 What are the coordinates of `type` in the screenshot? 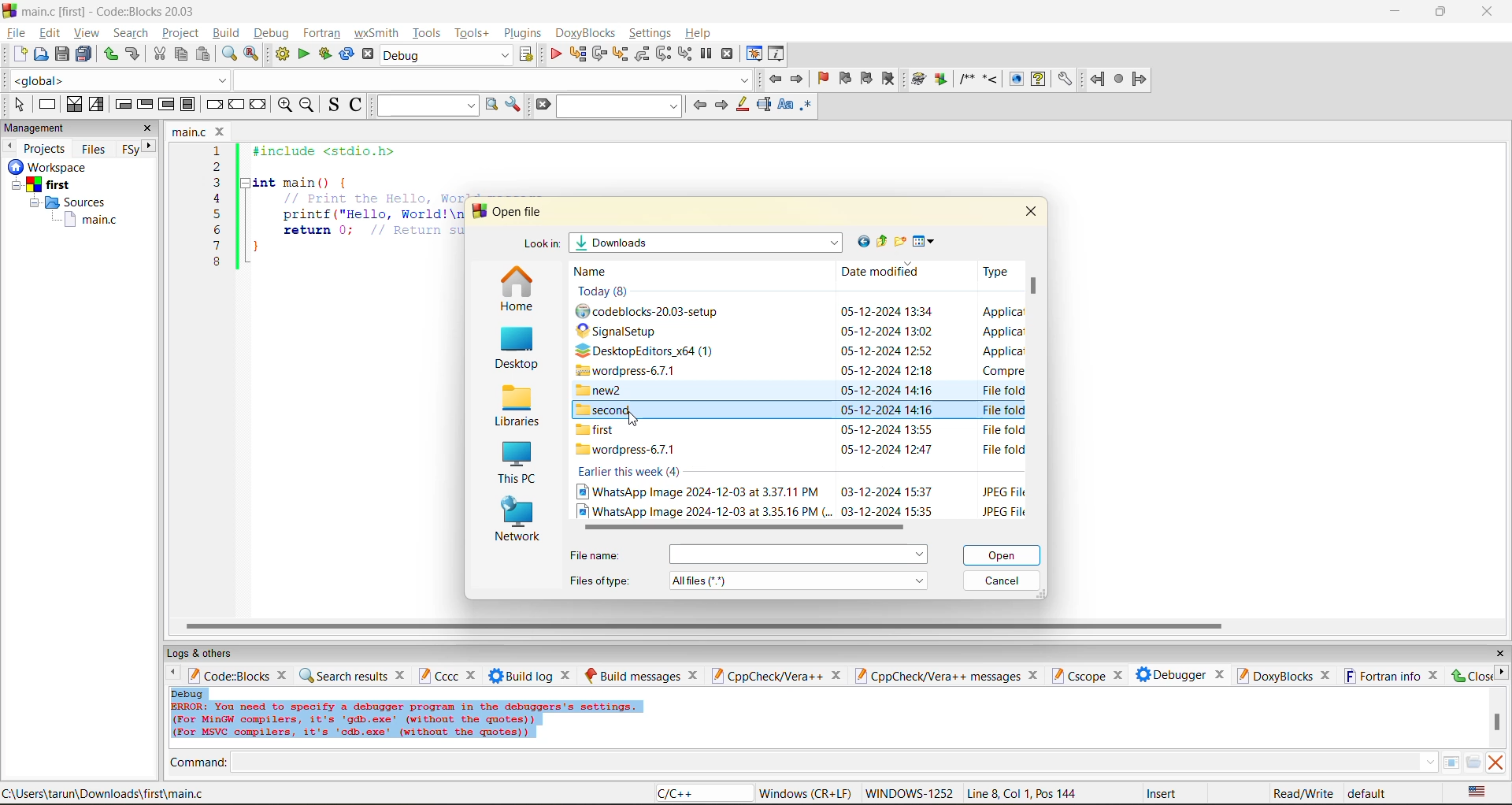 It's located at (1001, 331).